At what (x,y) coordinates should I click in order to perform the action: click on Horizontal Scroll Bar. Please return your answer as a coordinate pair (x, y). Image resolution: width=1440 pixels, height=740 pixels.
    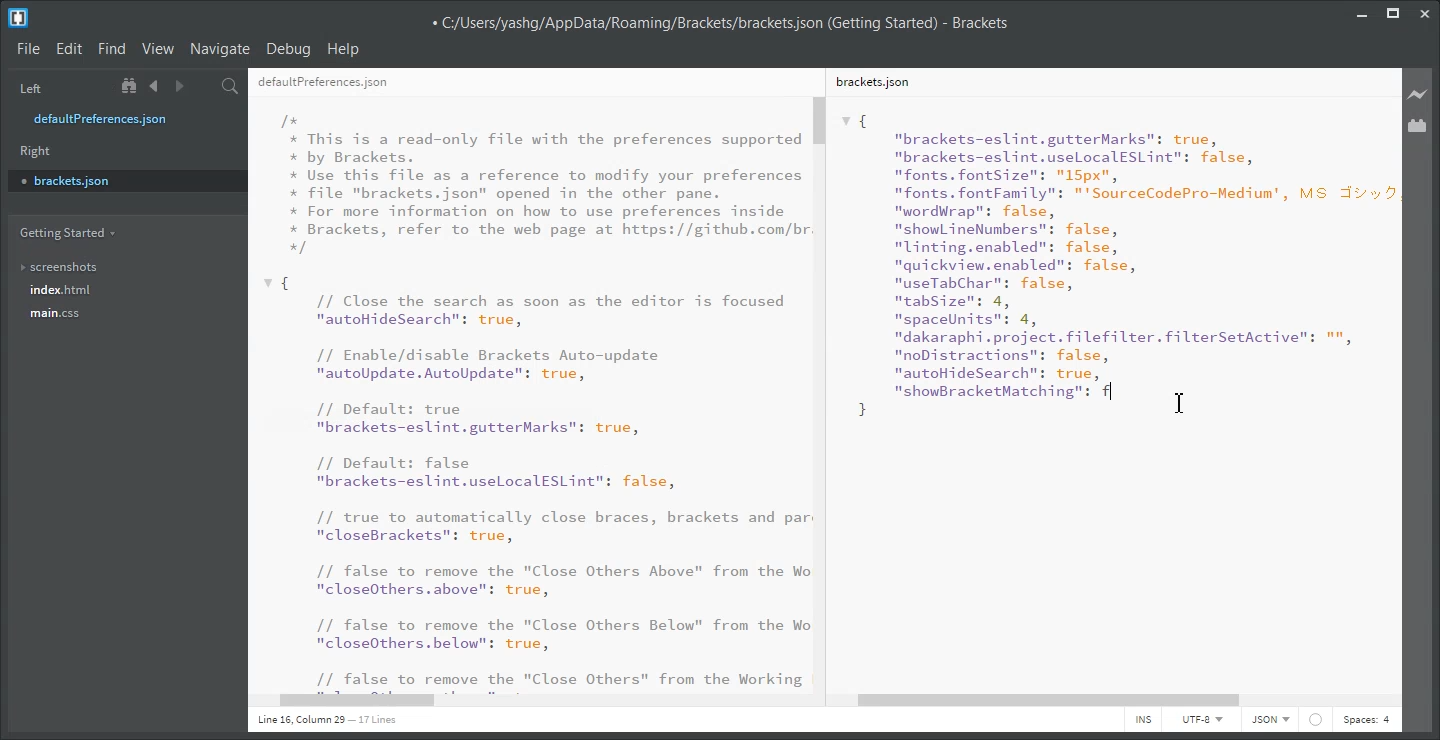
    Looking at the image, I should click on (539, 702).